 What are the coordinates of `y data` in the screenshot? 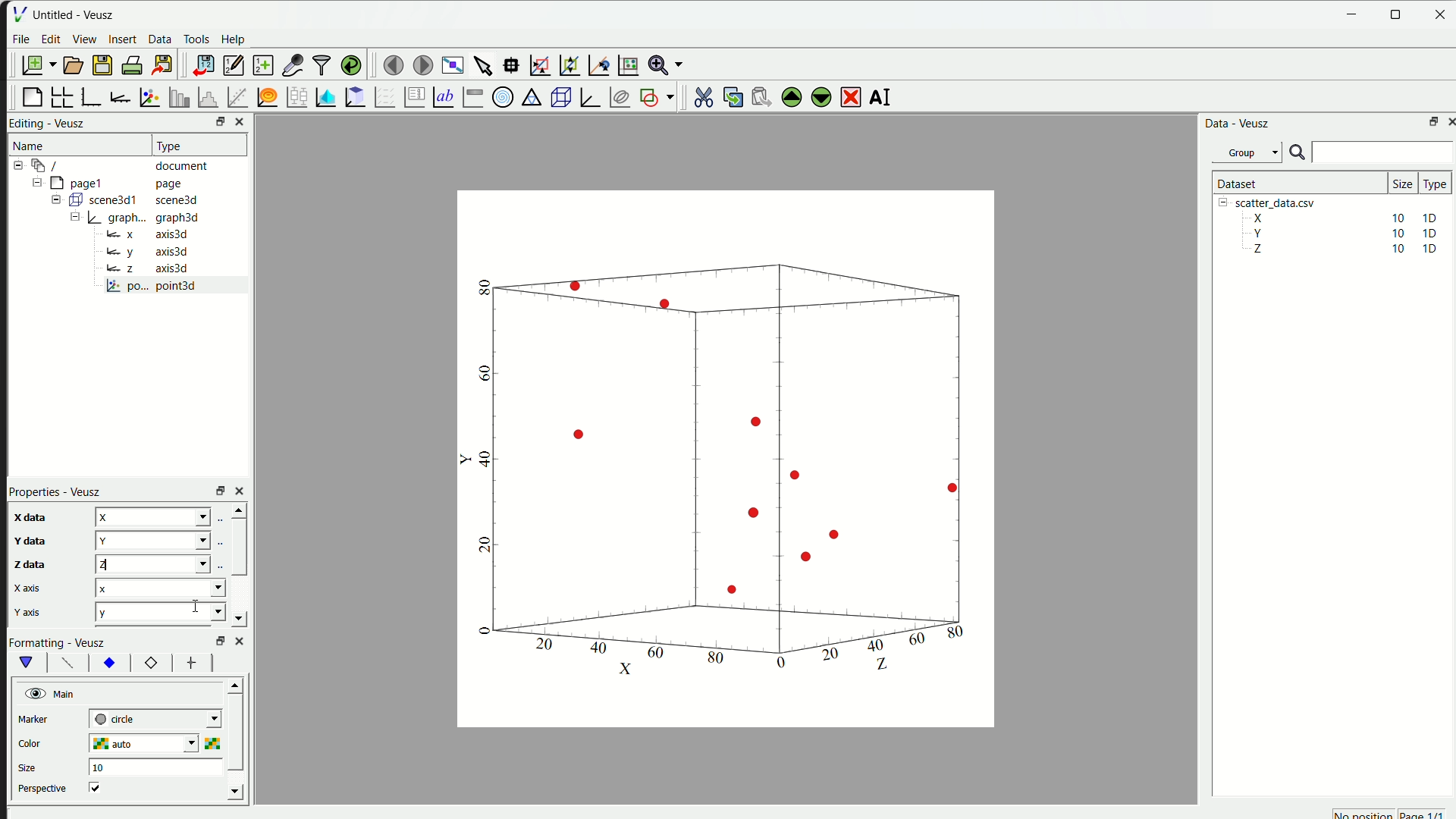 It's located at (31, 538).